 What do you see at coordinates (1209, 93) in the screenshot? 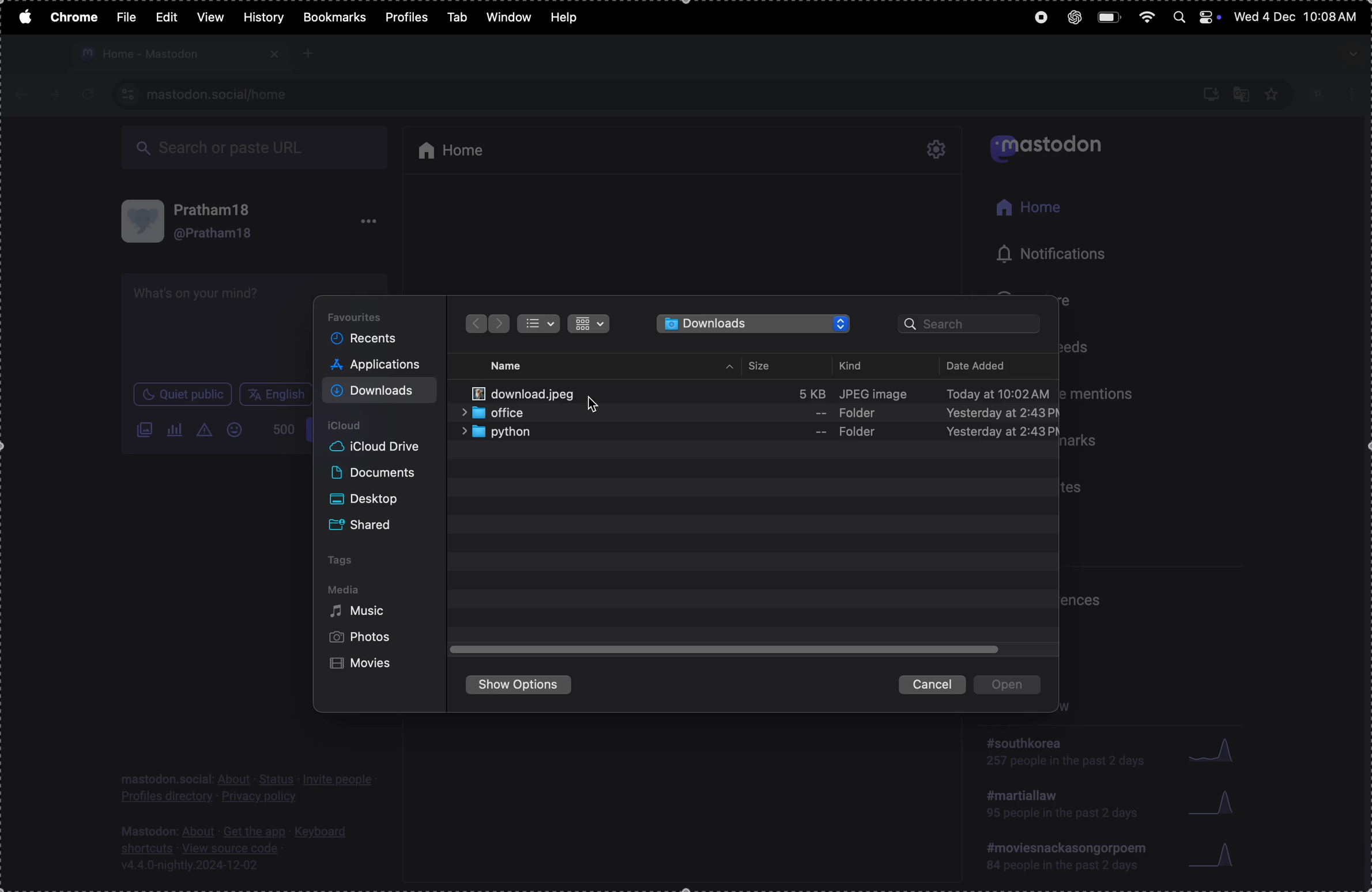
I see `install mastdom` at bounding box center [1209, 93].